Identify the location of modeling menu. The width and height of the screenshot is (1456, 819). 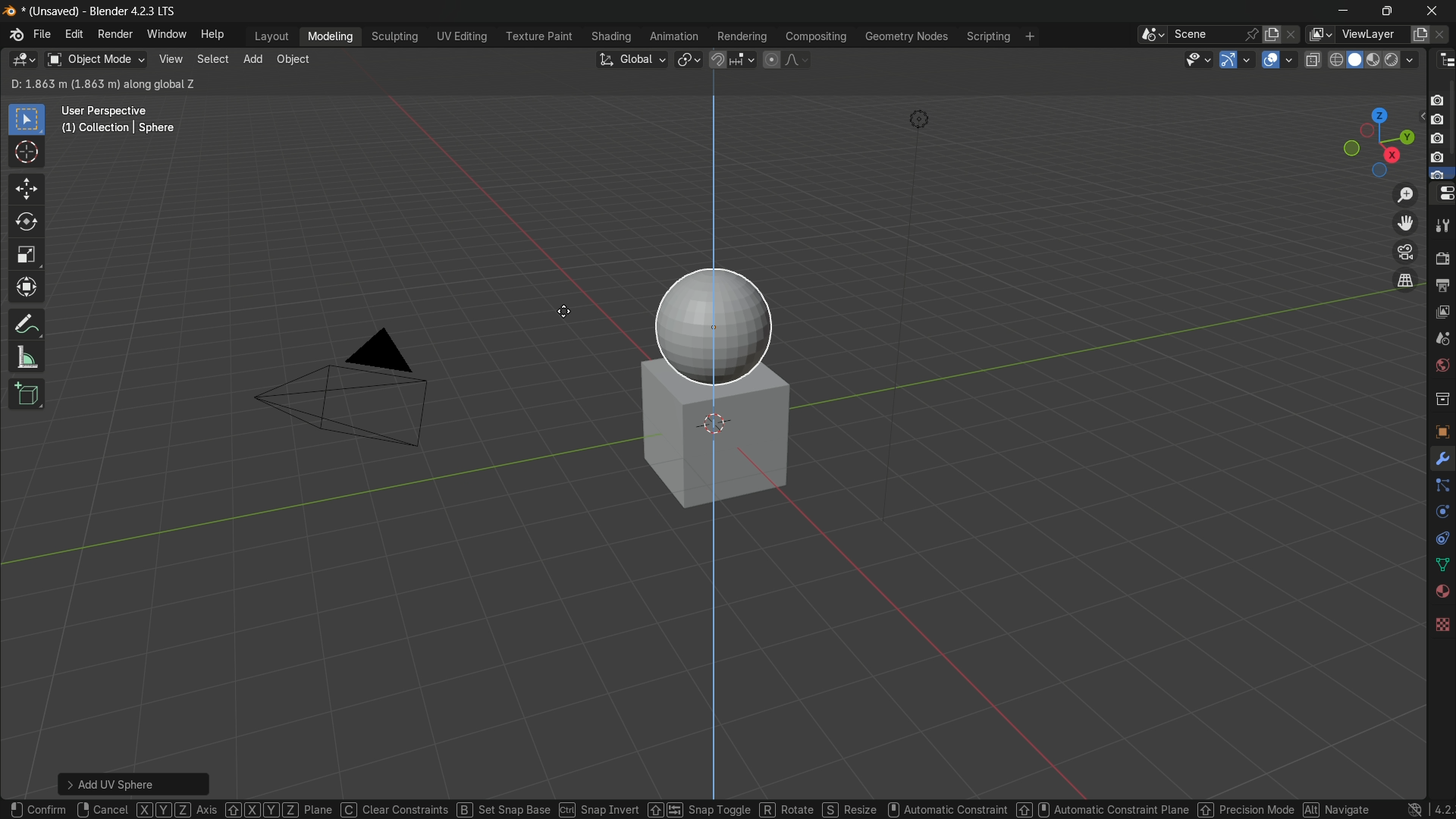
(331, 36).